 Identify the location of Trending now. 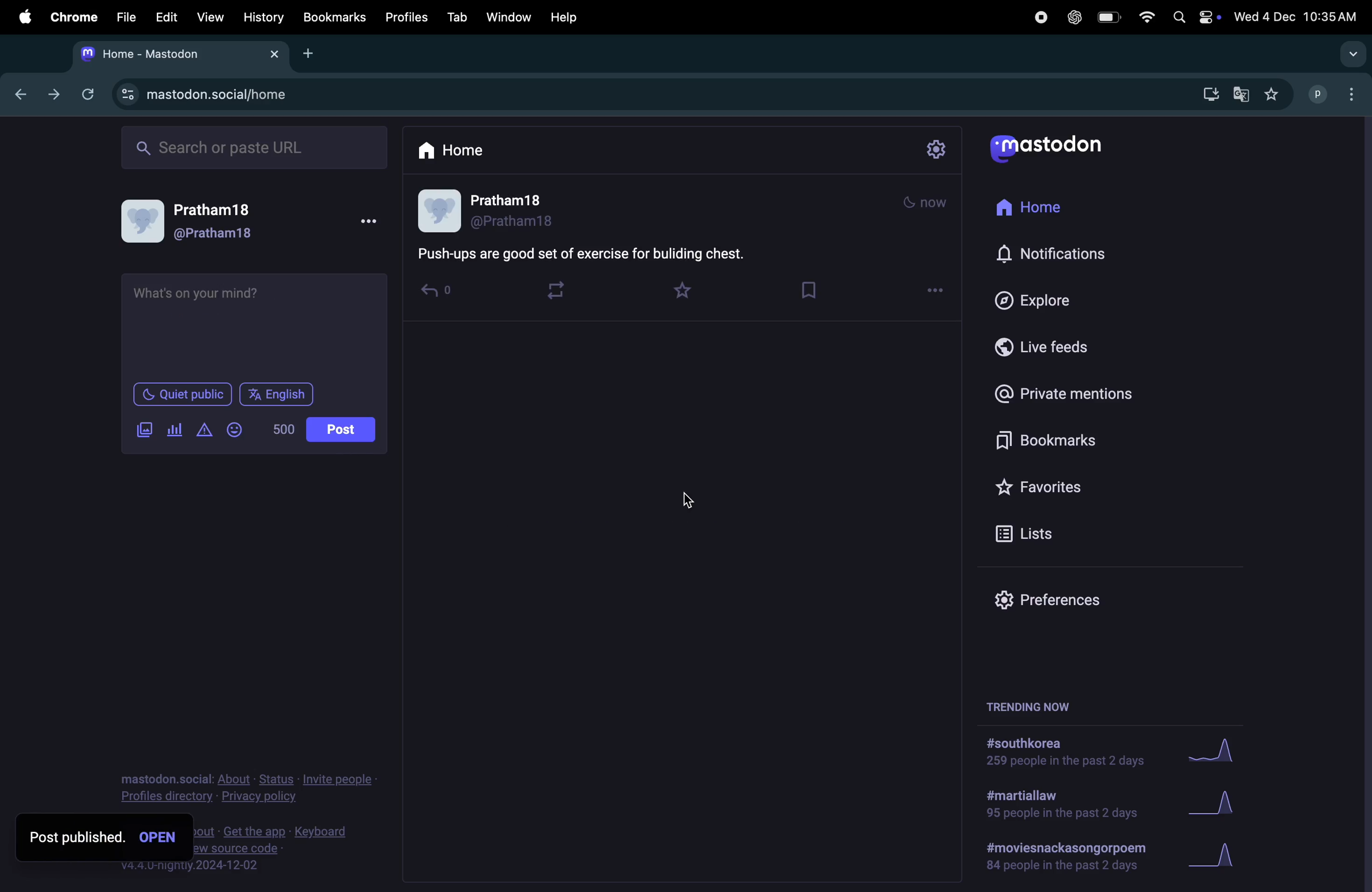
(1035, 703).